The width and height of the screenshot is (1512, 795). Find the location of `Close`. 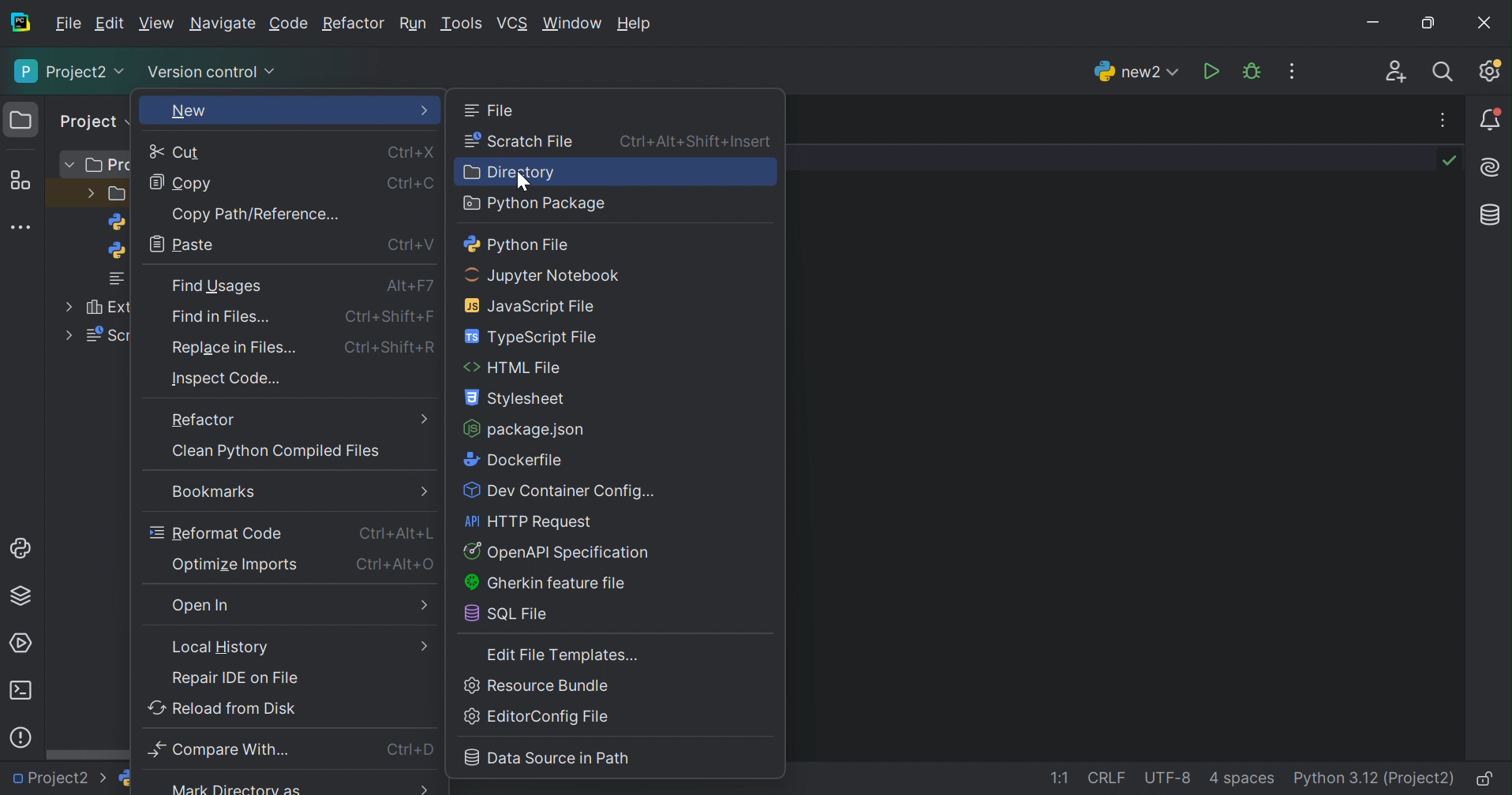

Close is located at coordinates (1486, 22).